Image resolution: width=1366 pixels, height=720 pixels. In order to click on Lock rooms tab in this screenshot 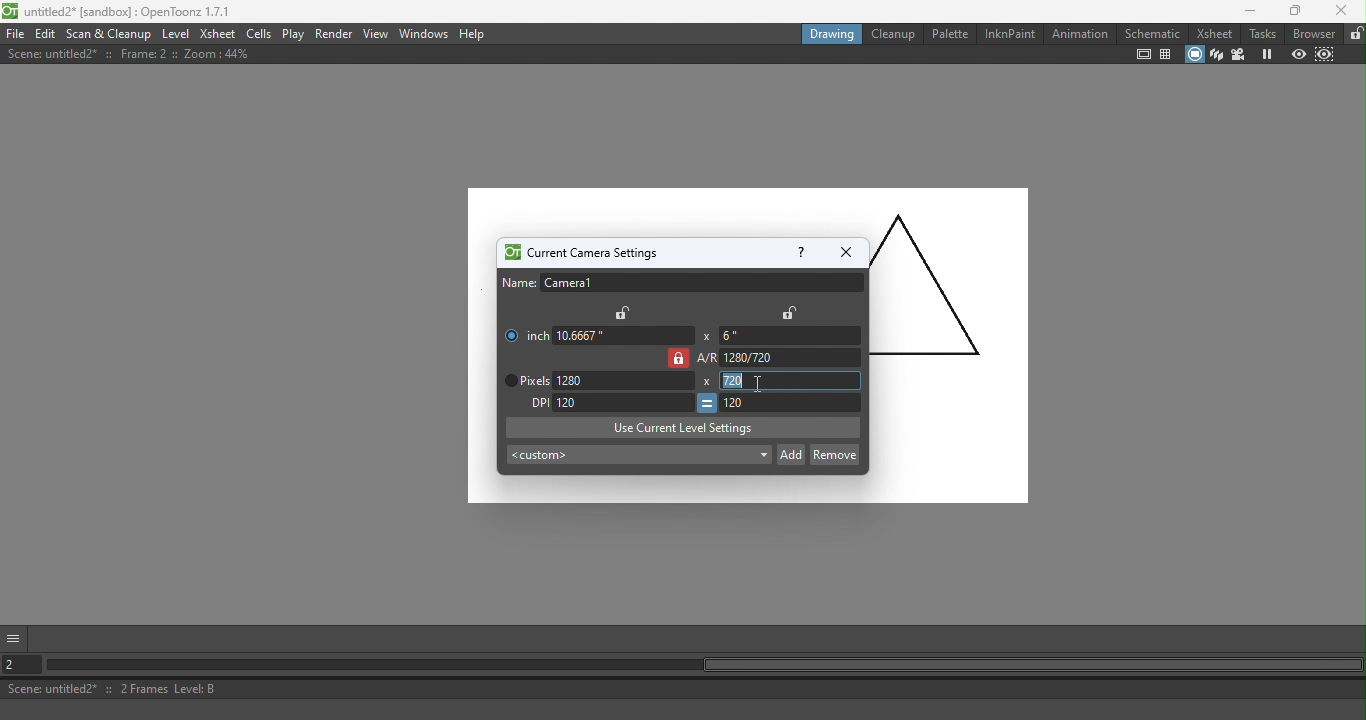, I will do `click(1354, 34)`.